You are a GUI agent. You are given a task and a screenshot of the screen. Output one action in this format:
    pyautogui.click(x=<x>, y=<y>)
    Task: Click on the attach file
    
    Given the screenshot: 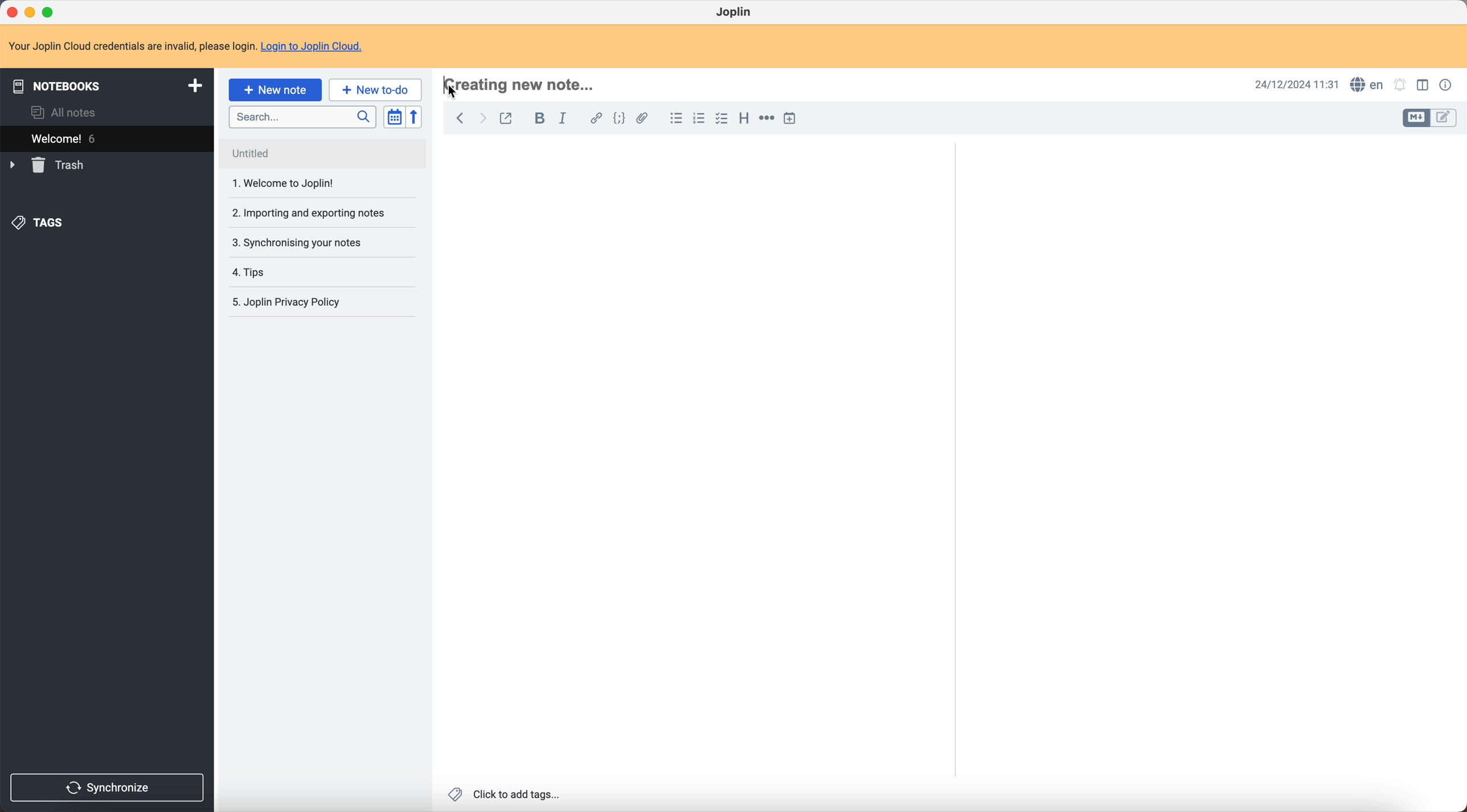 What is the action you would take?
    pyautogui.click(x=643, y=118)
    